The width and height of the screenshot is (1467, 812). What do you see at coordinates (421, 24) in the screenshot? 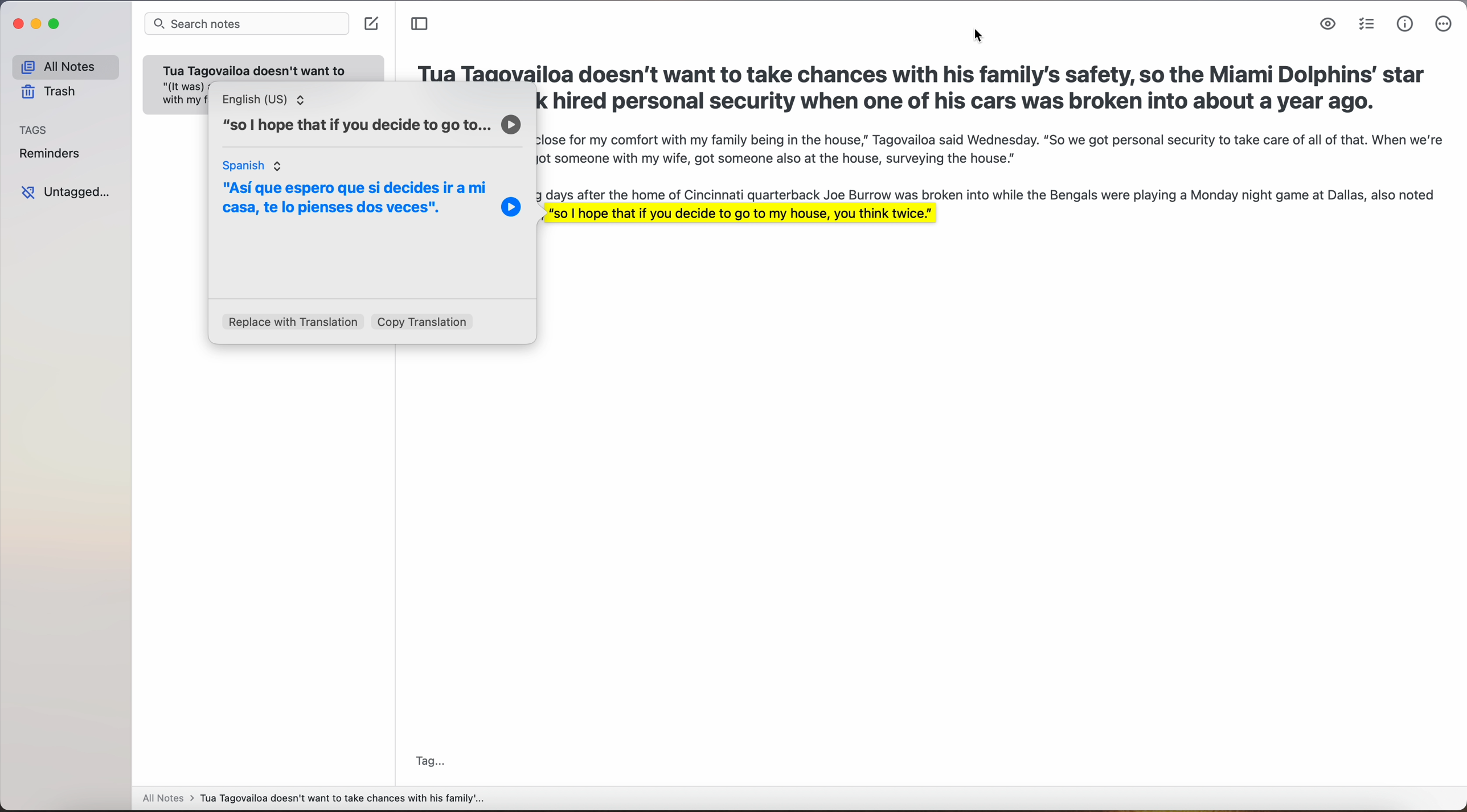
I see `toggle sidebar` at bounding box center [421, 24].